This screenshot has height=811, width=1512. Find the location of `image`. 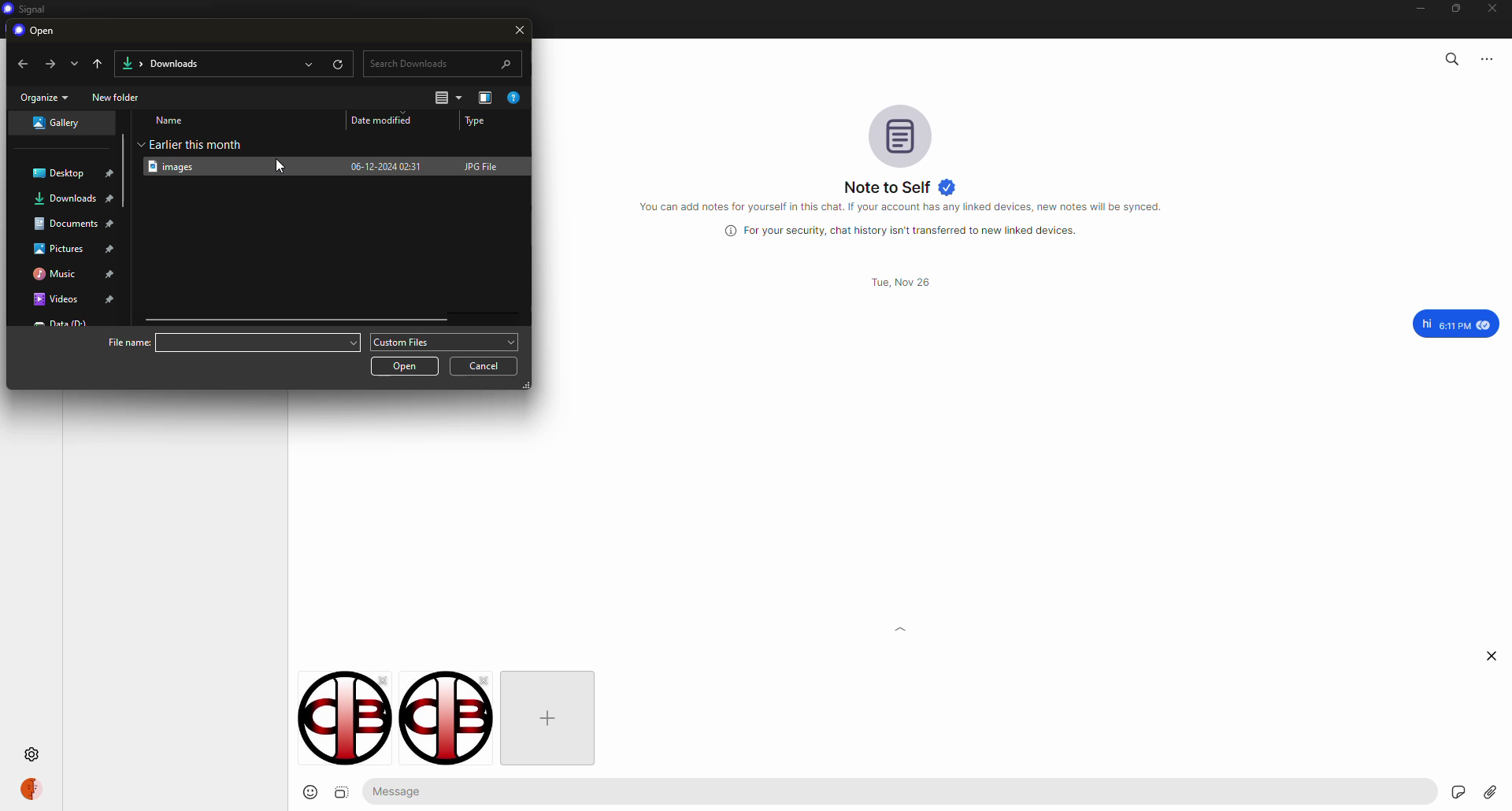

image is located at coordinates (343, 793).